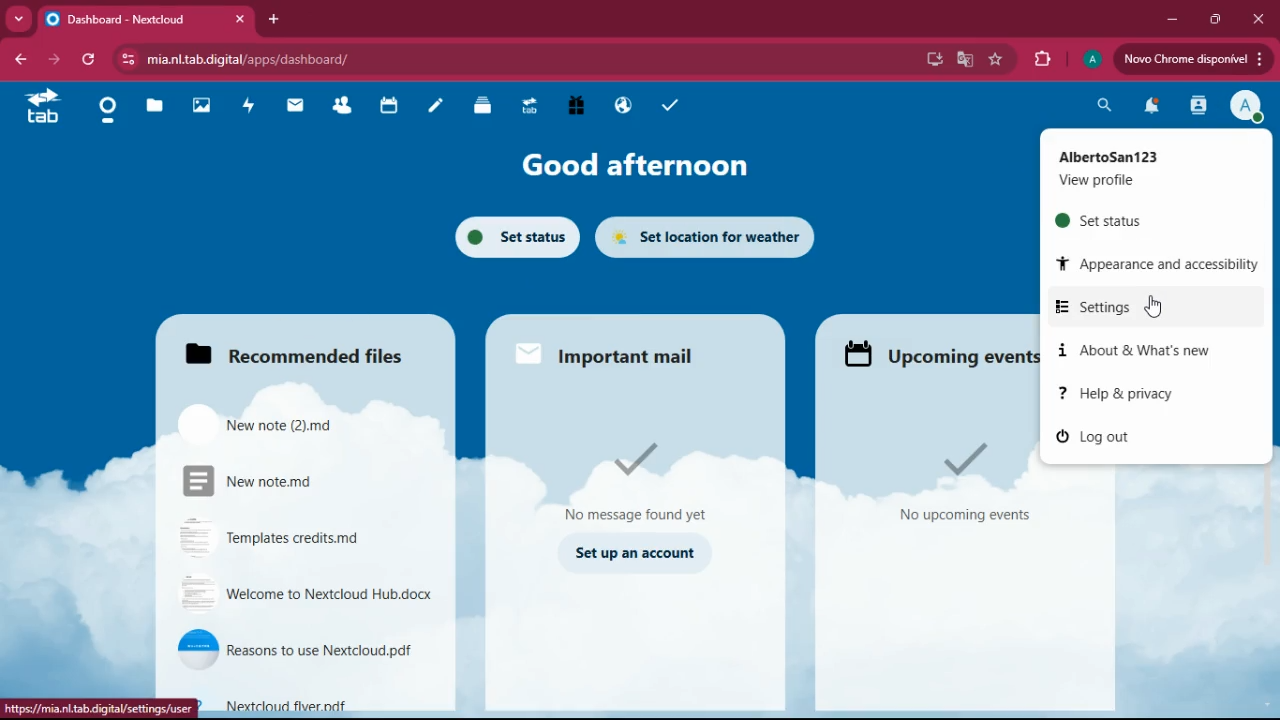 The image size is (1280, 720). What do you see at coordinates (278, 481) in the screenshot?
I see `file` at bounding box center [278, 481].